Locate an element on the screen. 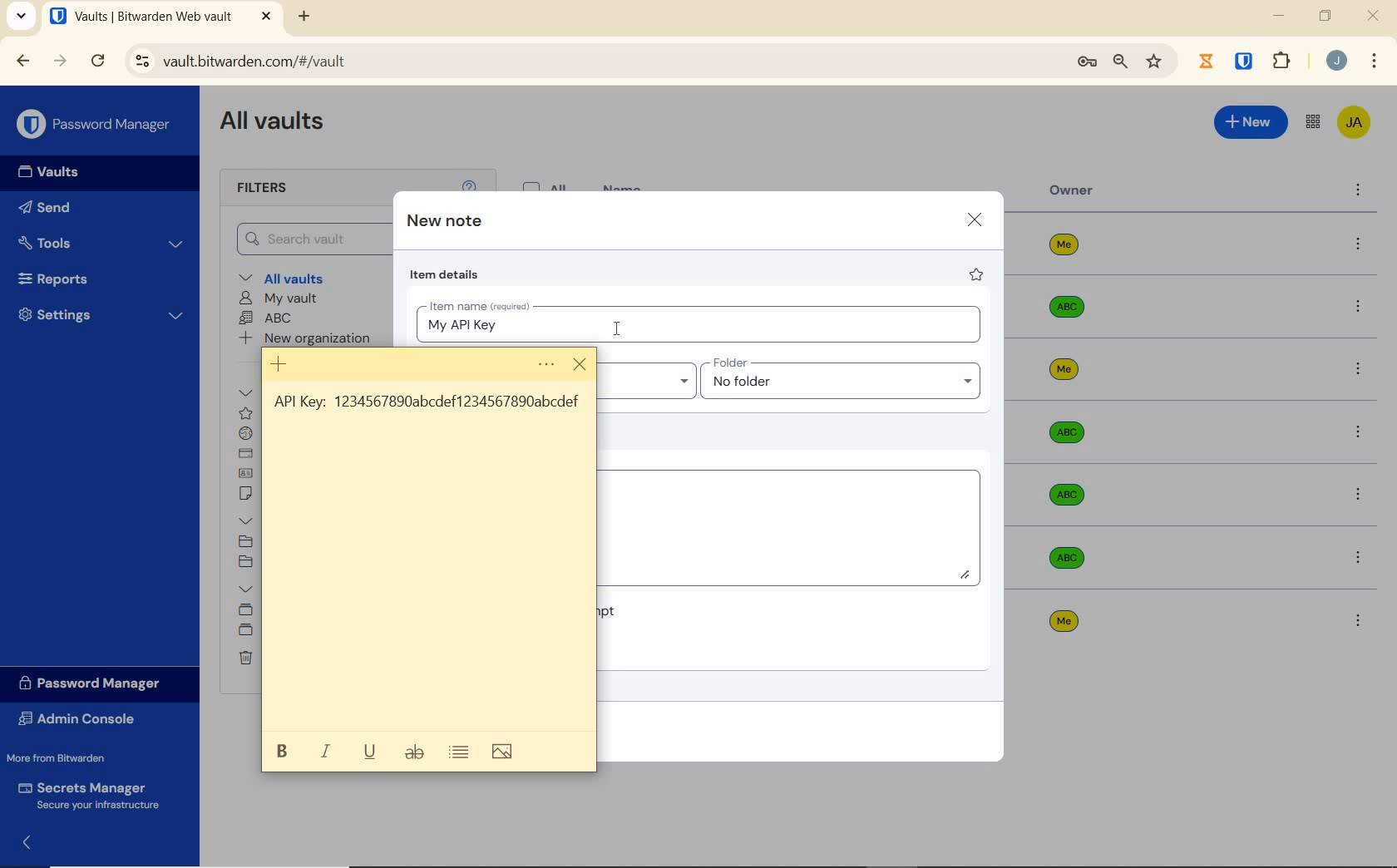 The width and height of the screenshot is (1397, 868). typed item name is located at coordinates (462, 326).